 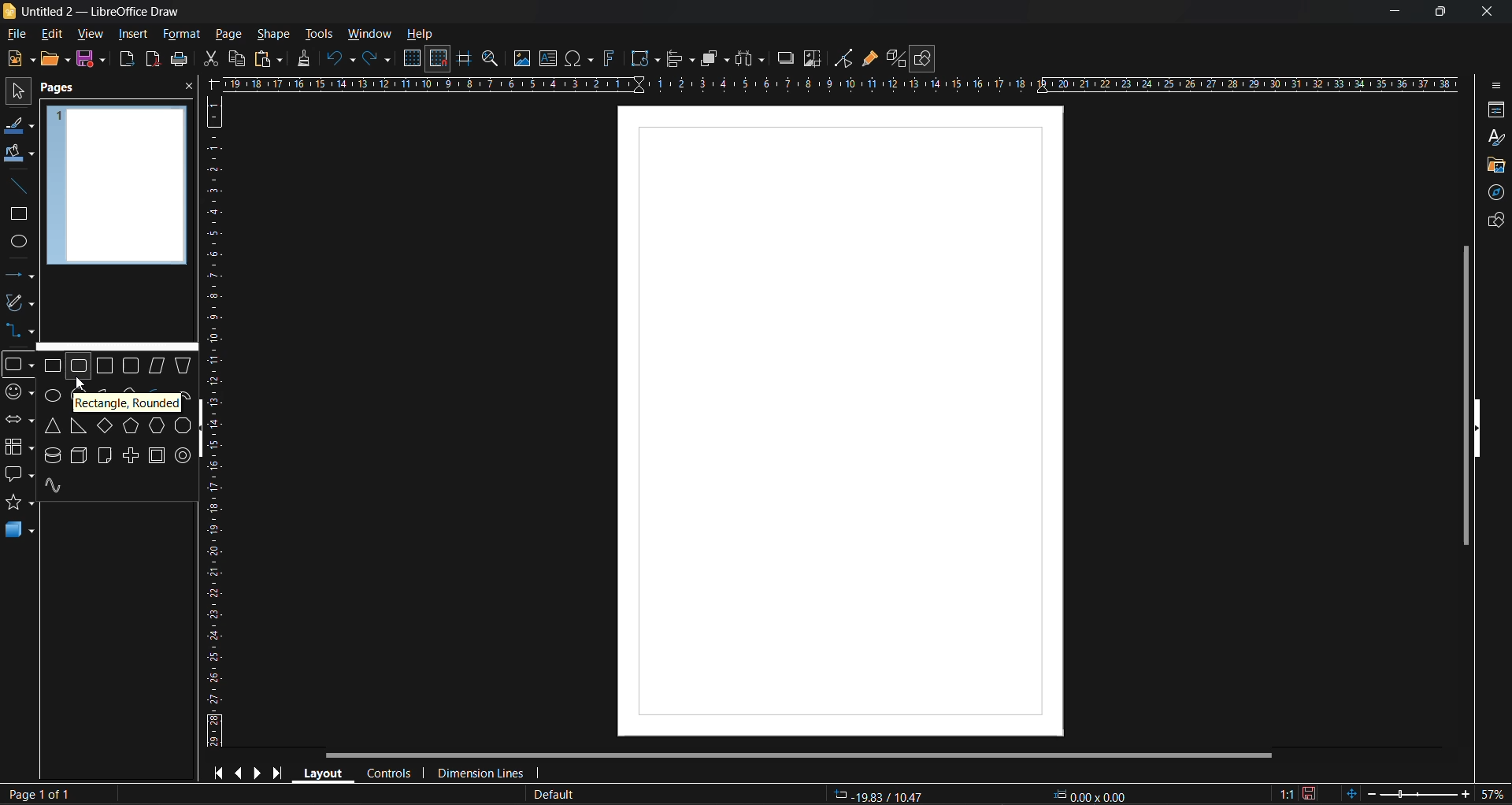 What do you see at coordinates (645, 59) in the screenshot?
I see `transformations` at bounding box center [645, 59].